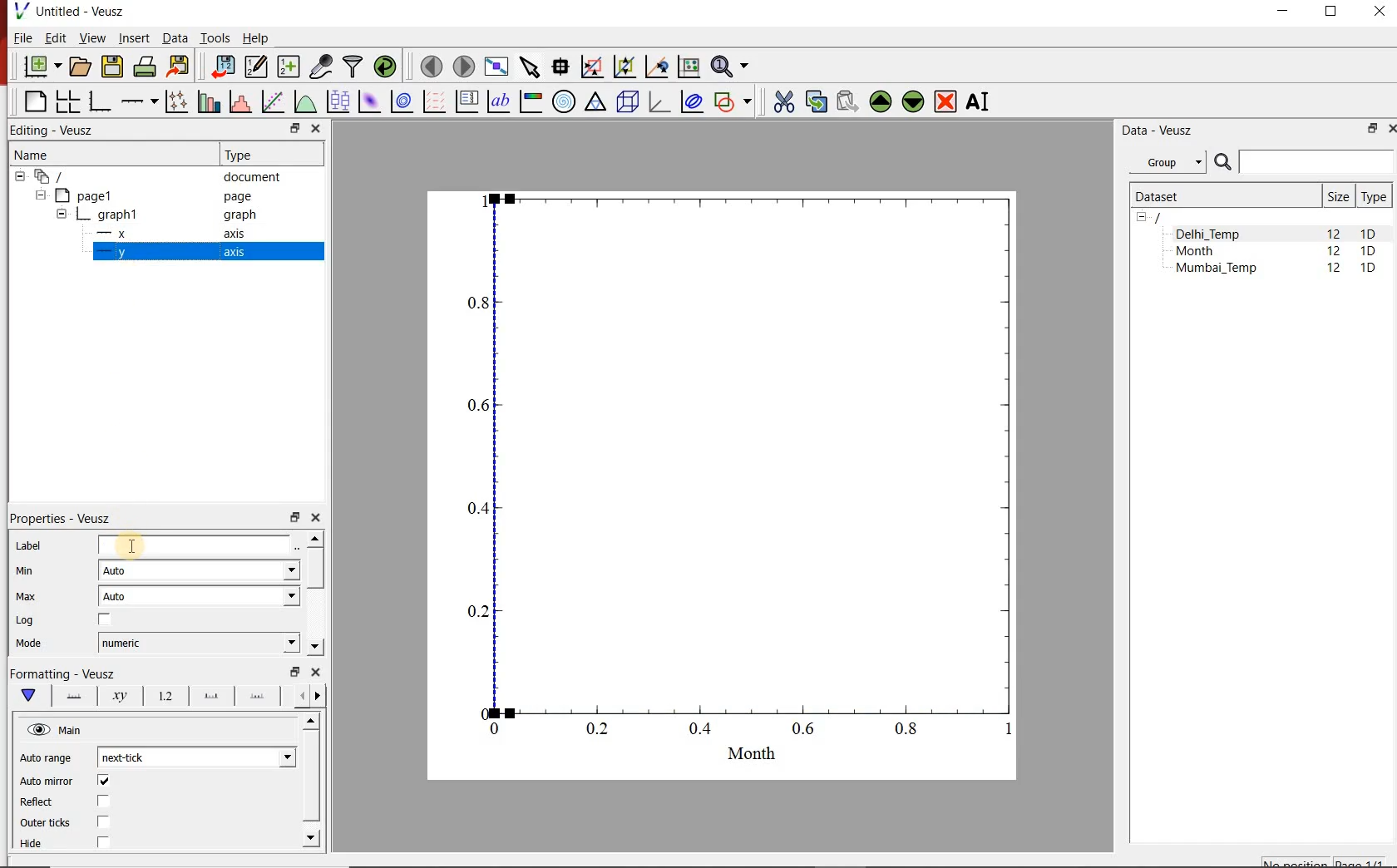 This screenshot has width=1397, height=868. Describe the element at coordinates (626, 102) in the screenshot. I see `3d scene` at that location.